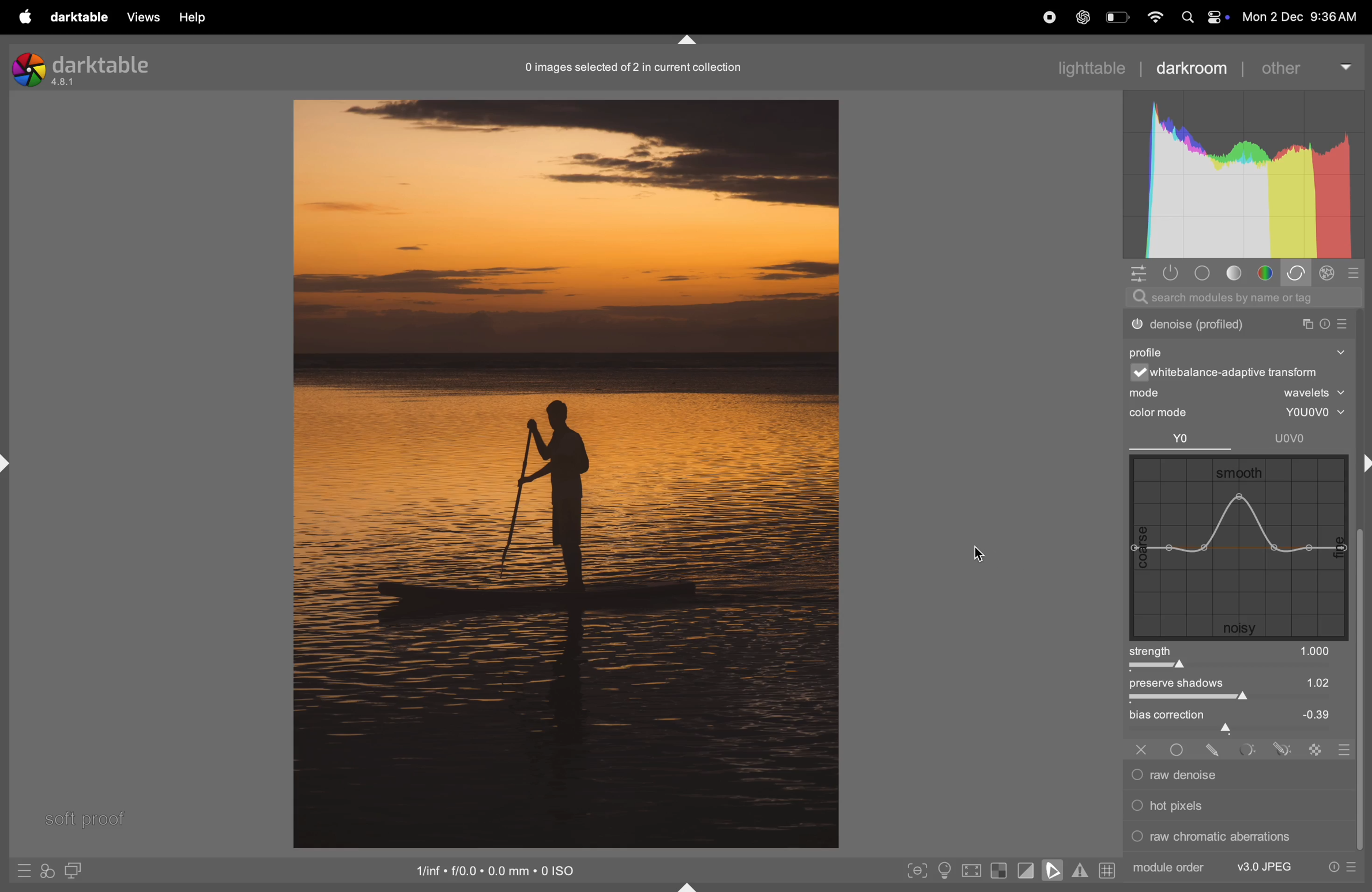  Describe the element at coordinates (25, 874) in the screenshot. I see `sign` at that location.